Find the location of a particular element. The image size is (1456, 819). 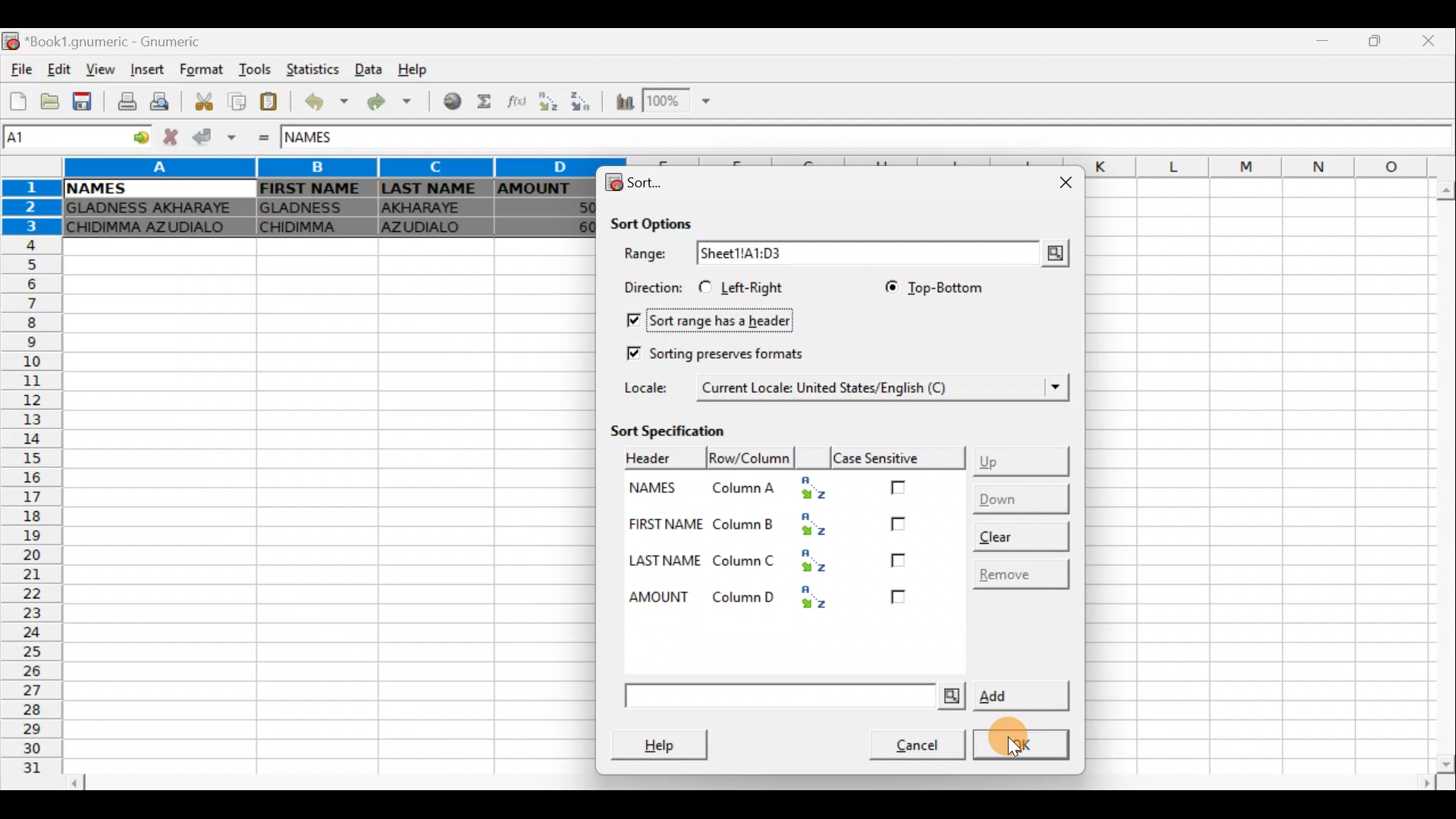

Cancel change is located at coordinates (168, 138).